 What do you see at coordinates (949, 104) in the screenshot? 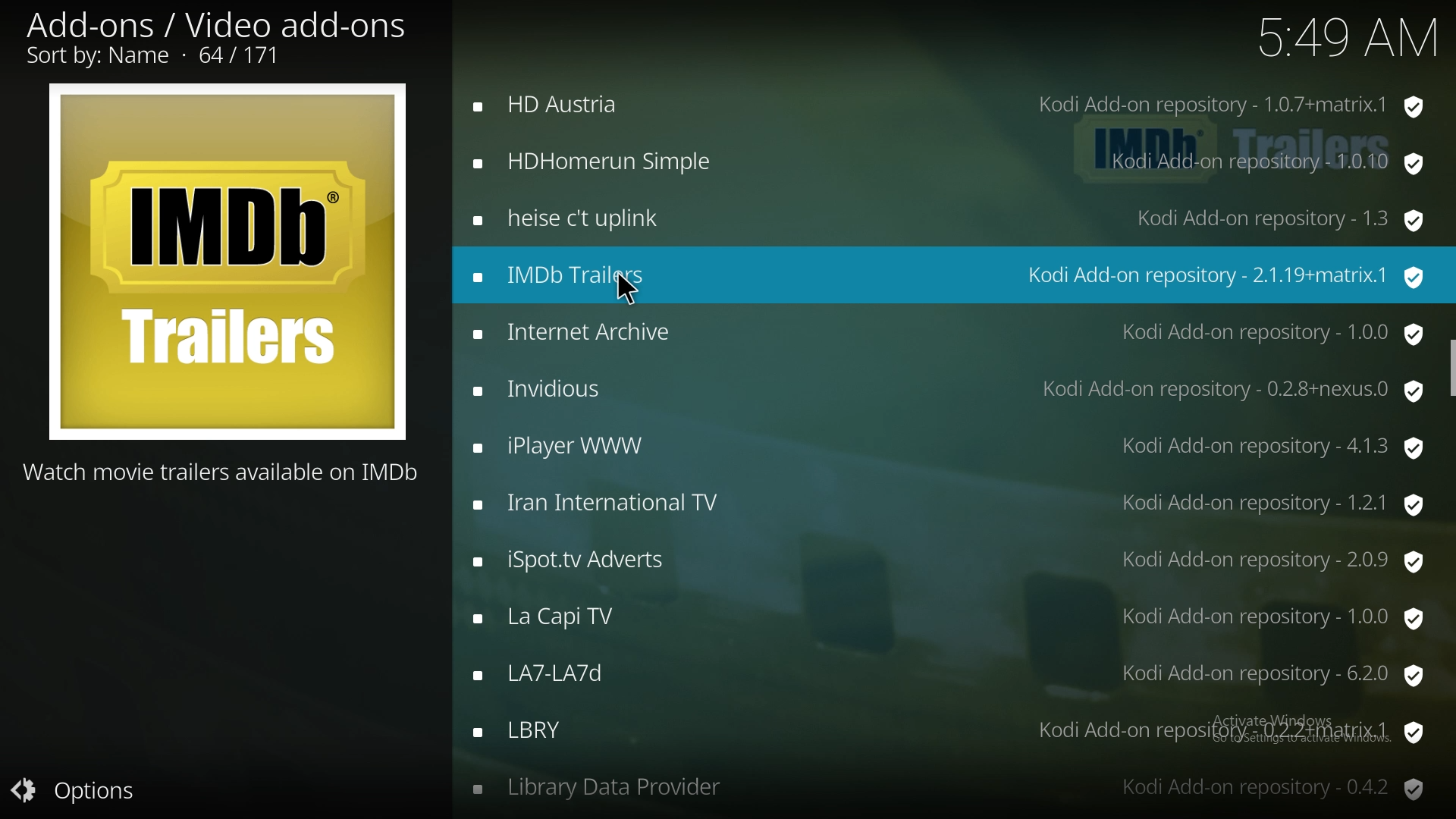
I see `add on` at bounding box center [949, 104].